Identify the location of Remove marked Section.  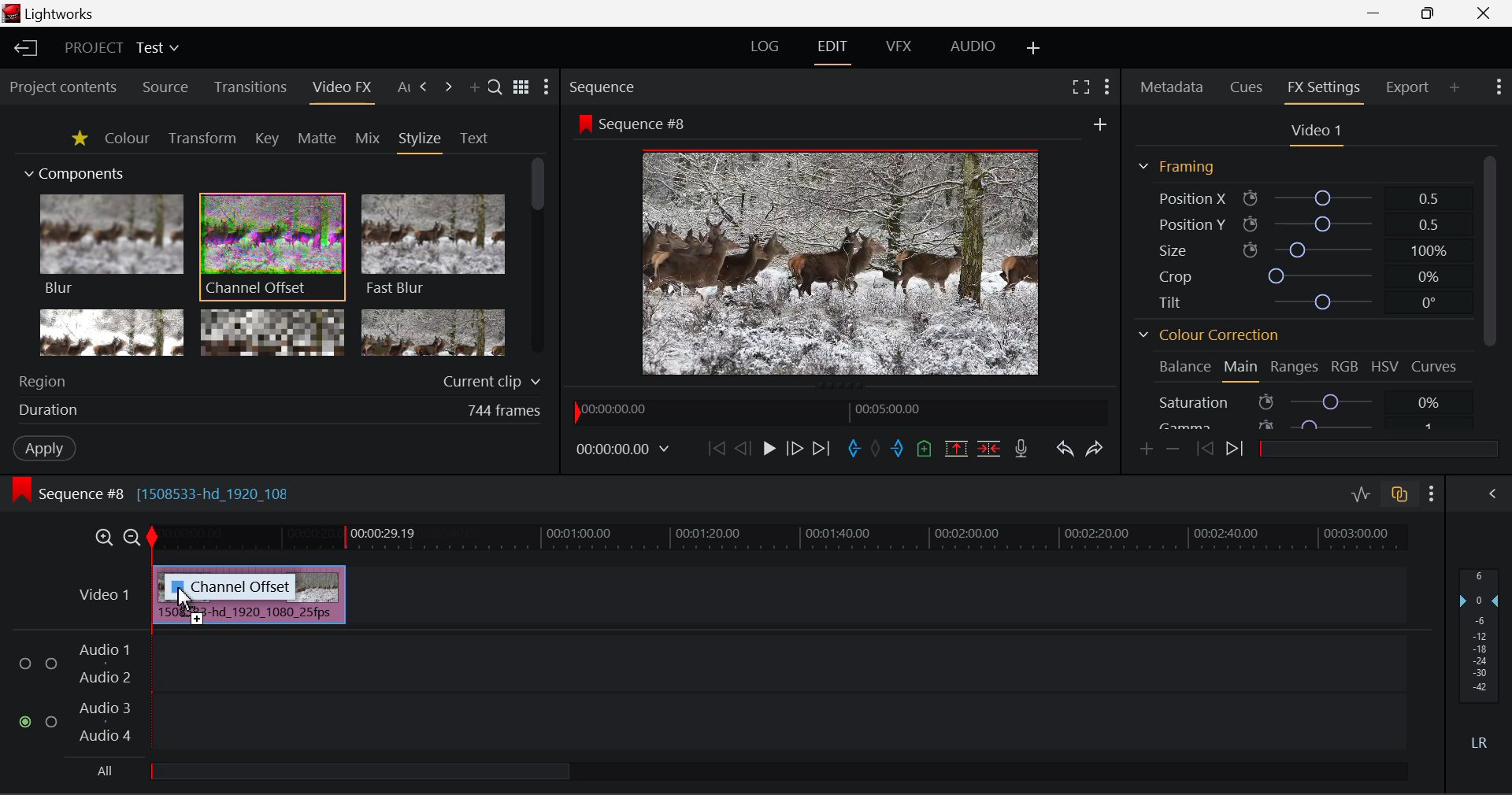
(959, 449).